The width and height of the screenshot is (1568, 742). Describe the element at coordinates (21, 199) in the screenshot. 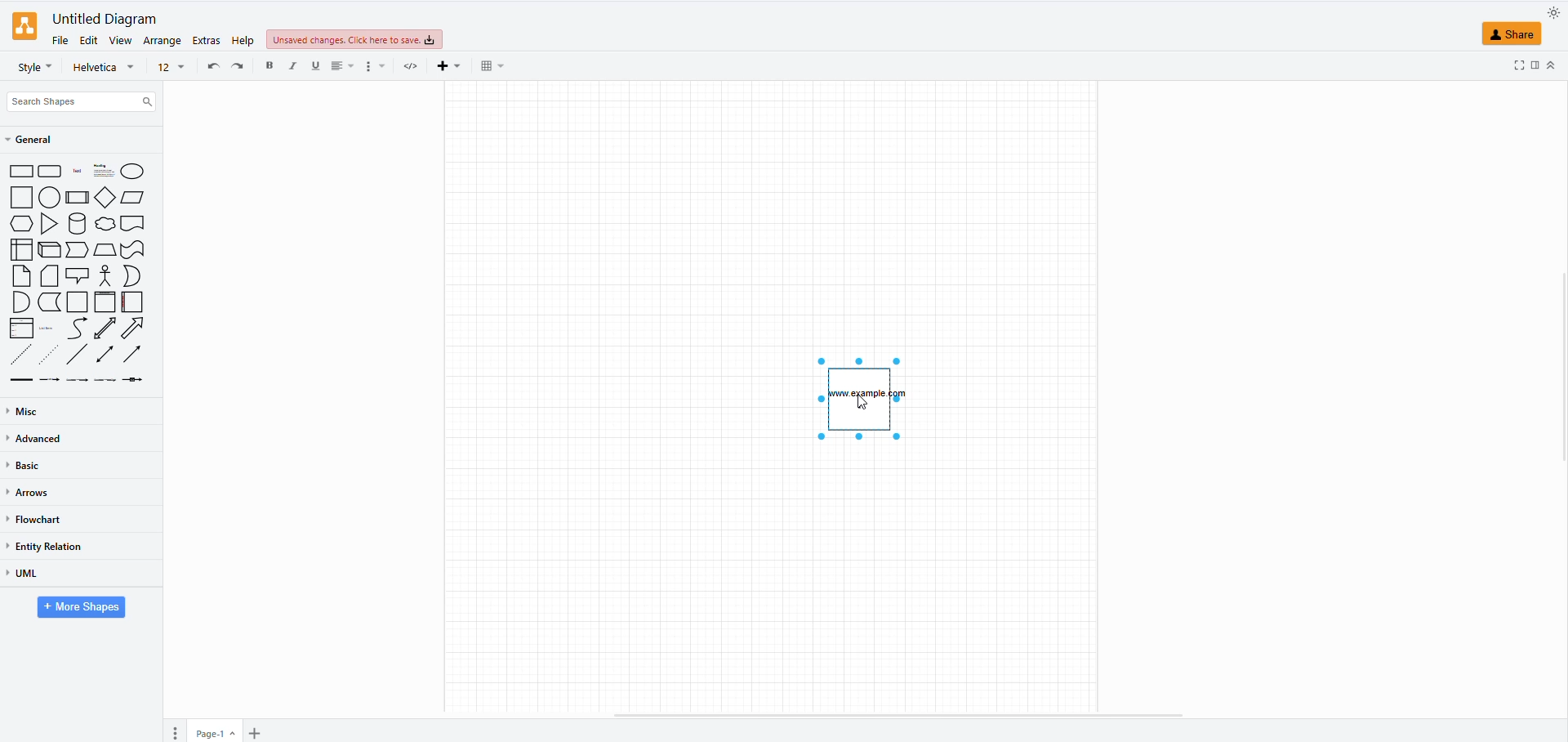

I see `square` at that location.